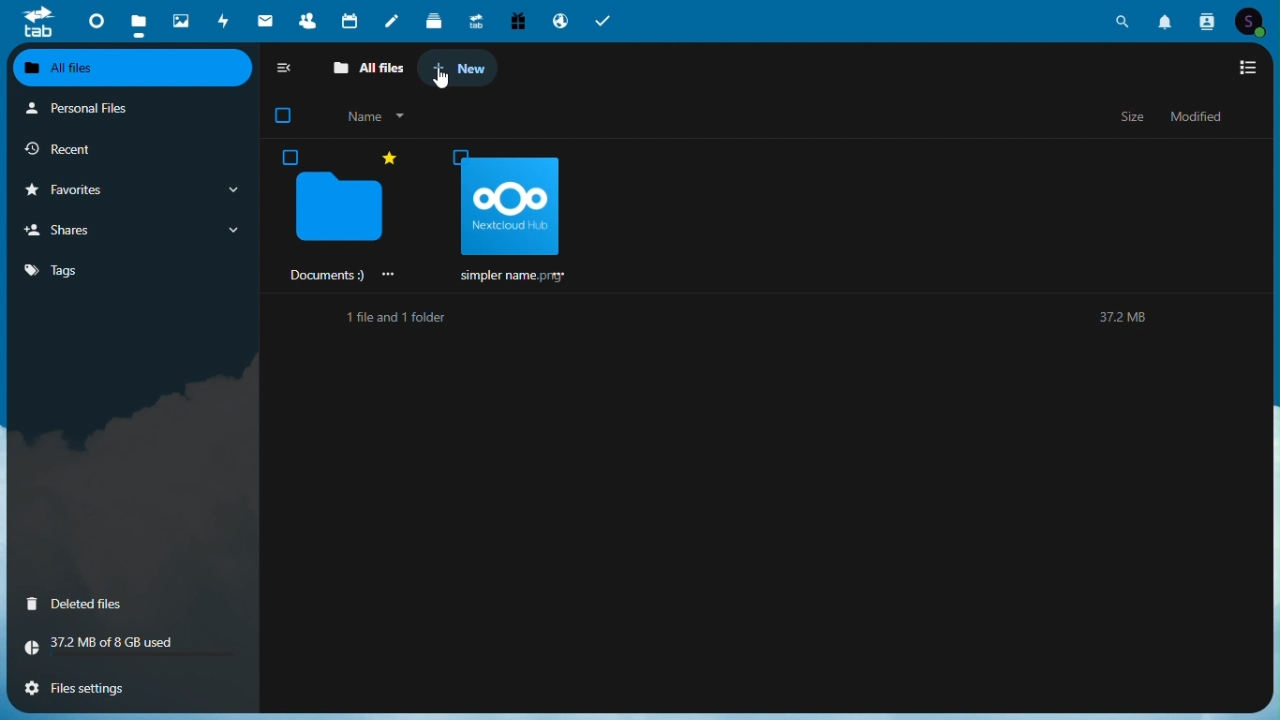 The height and width of the screenshot is (720, 1280). I want to click on Deleted files, so click(127, 605).